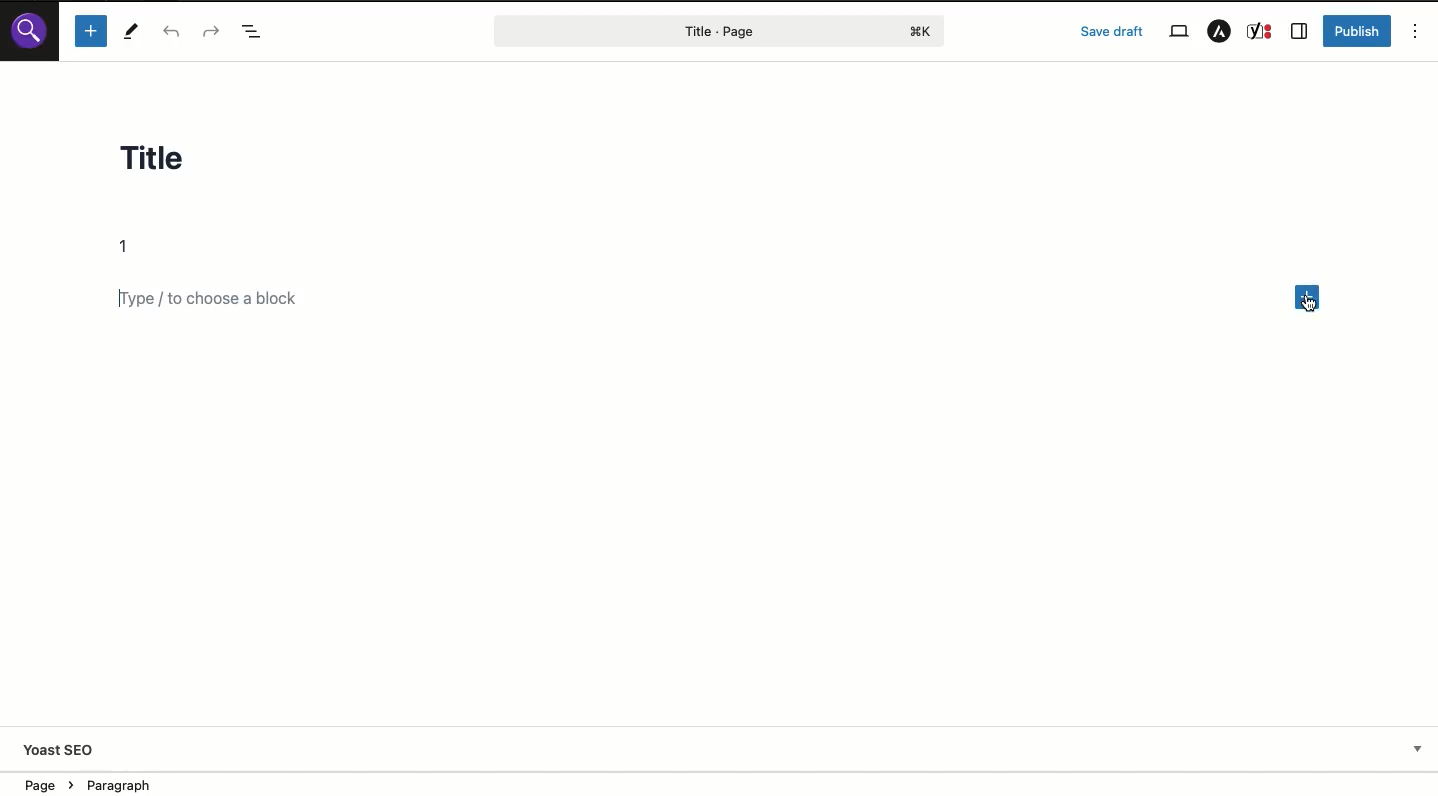 The image size is (1438, 796). I want to click on Document overview, so click(254, 31).